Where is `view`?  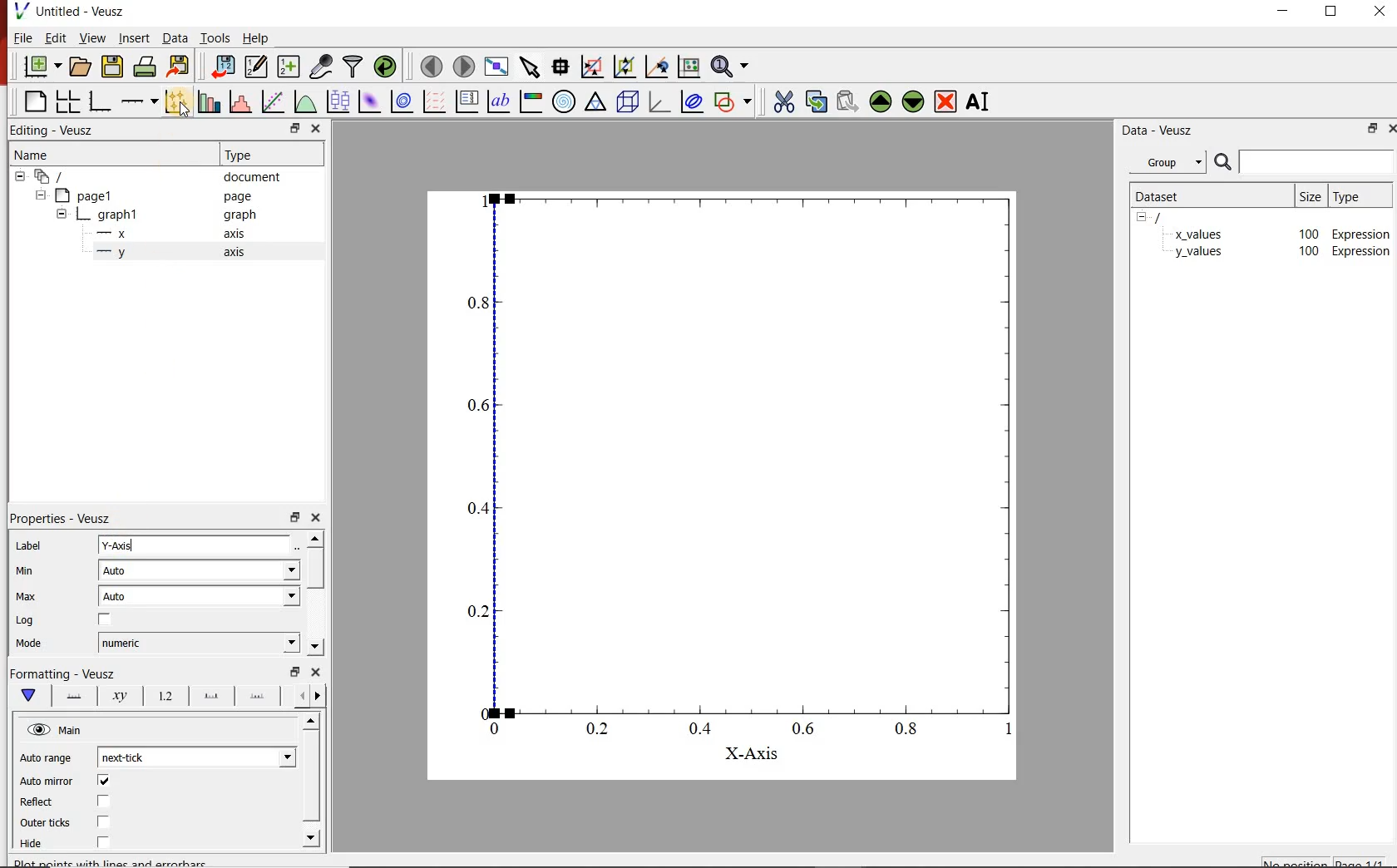 view is located at coordinates (93, 37).